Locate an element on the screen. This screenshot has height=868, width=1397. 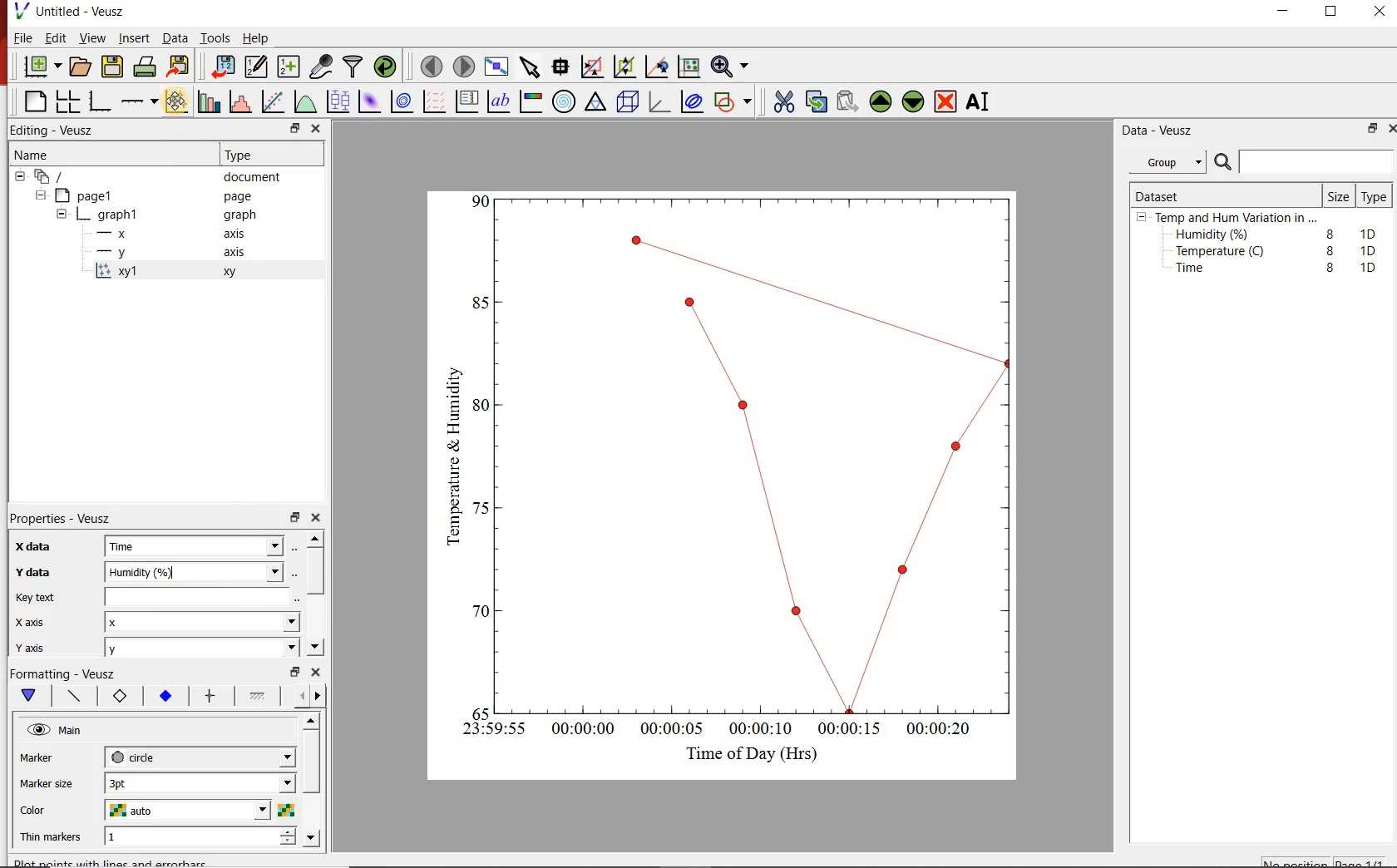
x data is located at coordinates (42, 542).